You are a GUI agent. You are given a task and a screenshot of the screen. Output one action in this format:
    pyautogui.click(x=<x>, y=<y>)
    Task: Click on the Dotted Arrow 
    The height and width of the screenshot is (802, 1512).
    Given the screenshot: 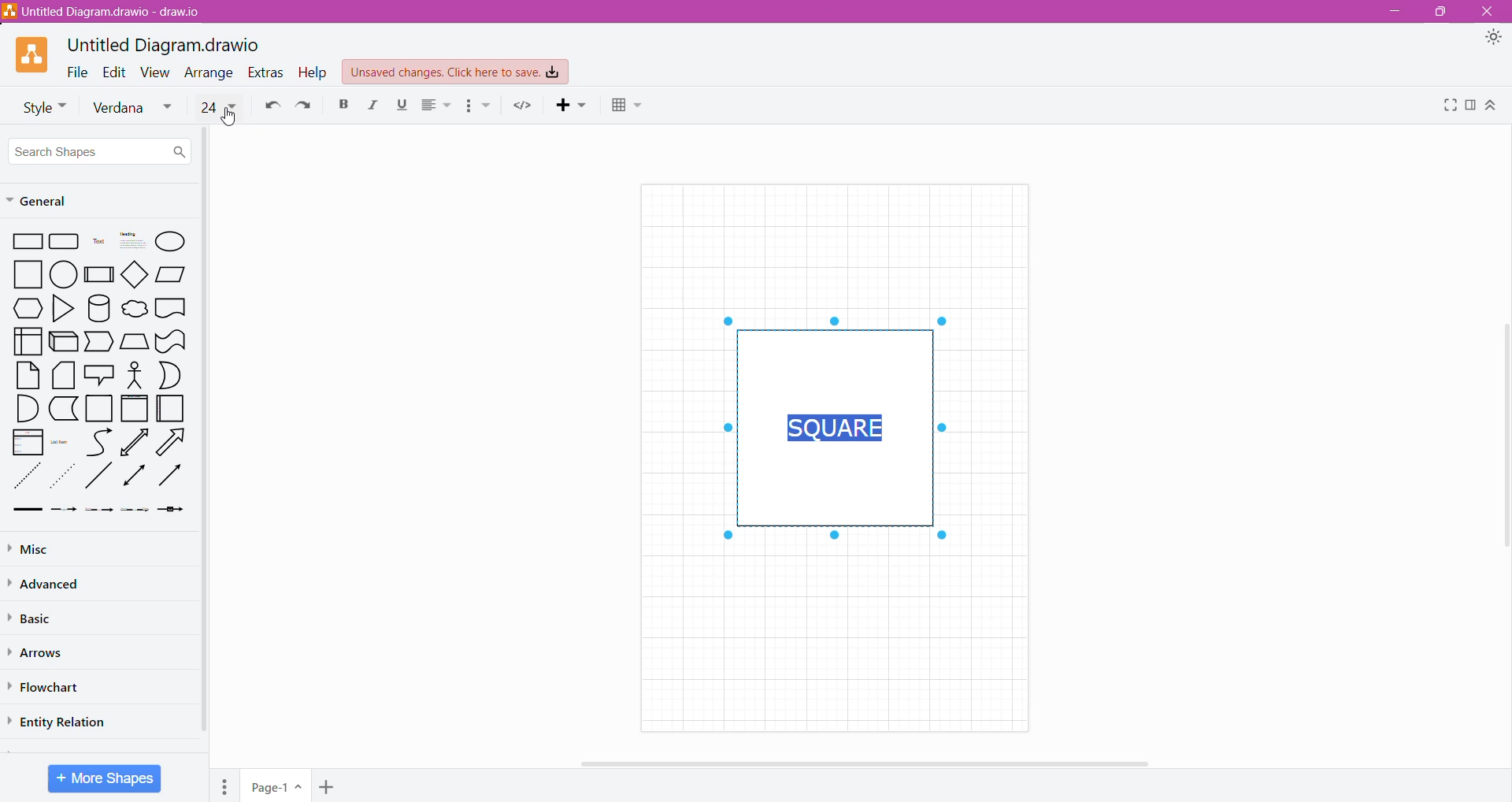 What is the action you would take?
    pyautogui.click(x=64, y=477)
    